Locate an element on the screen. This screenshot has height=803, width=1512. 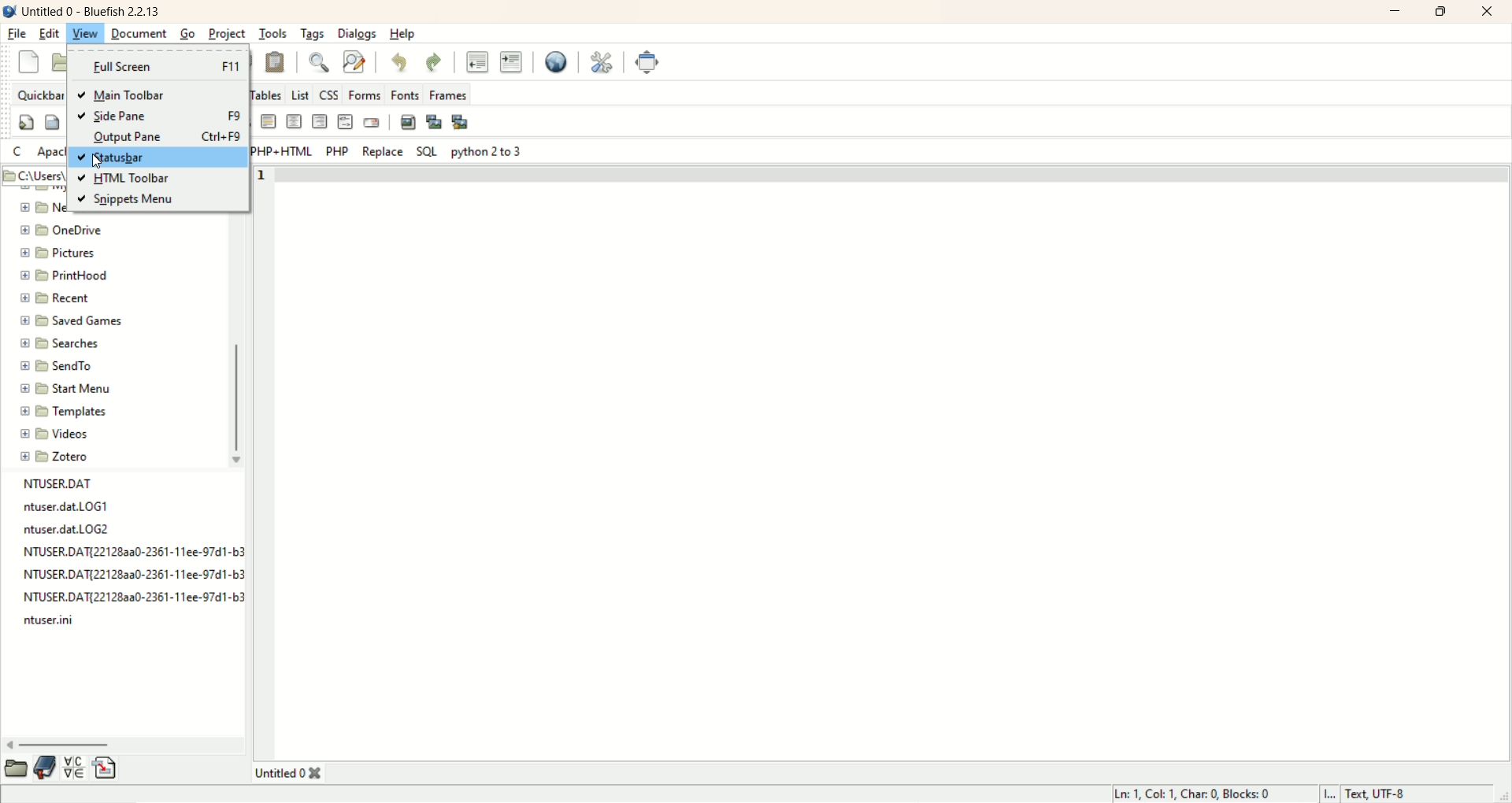
file is located at coordinates (106, 484).